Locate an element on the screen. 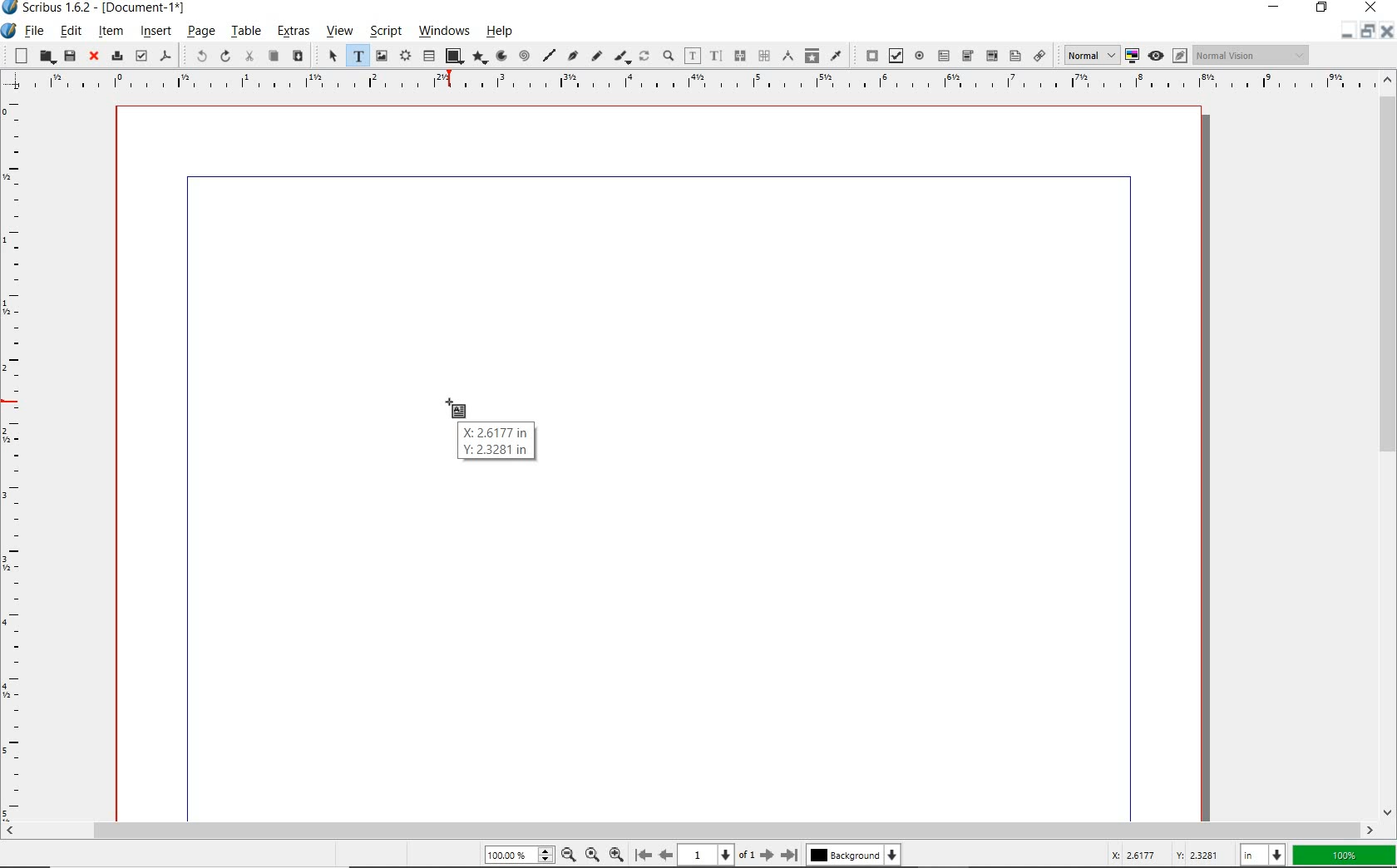  X: 2.6166 in Y: 2.3281 in is located at coordinates (496, 443).